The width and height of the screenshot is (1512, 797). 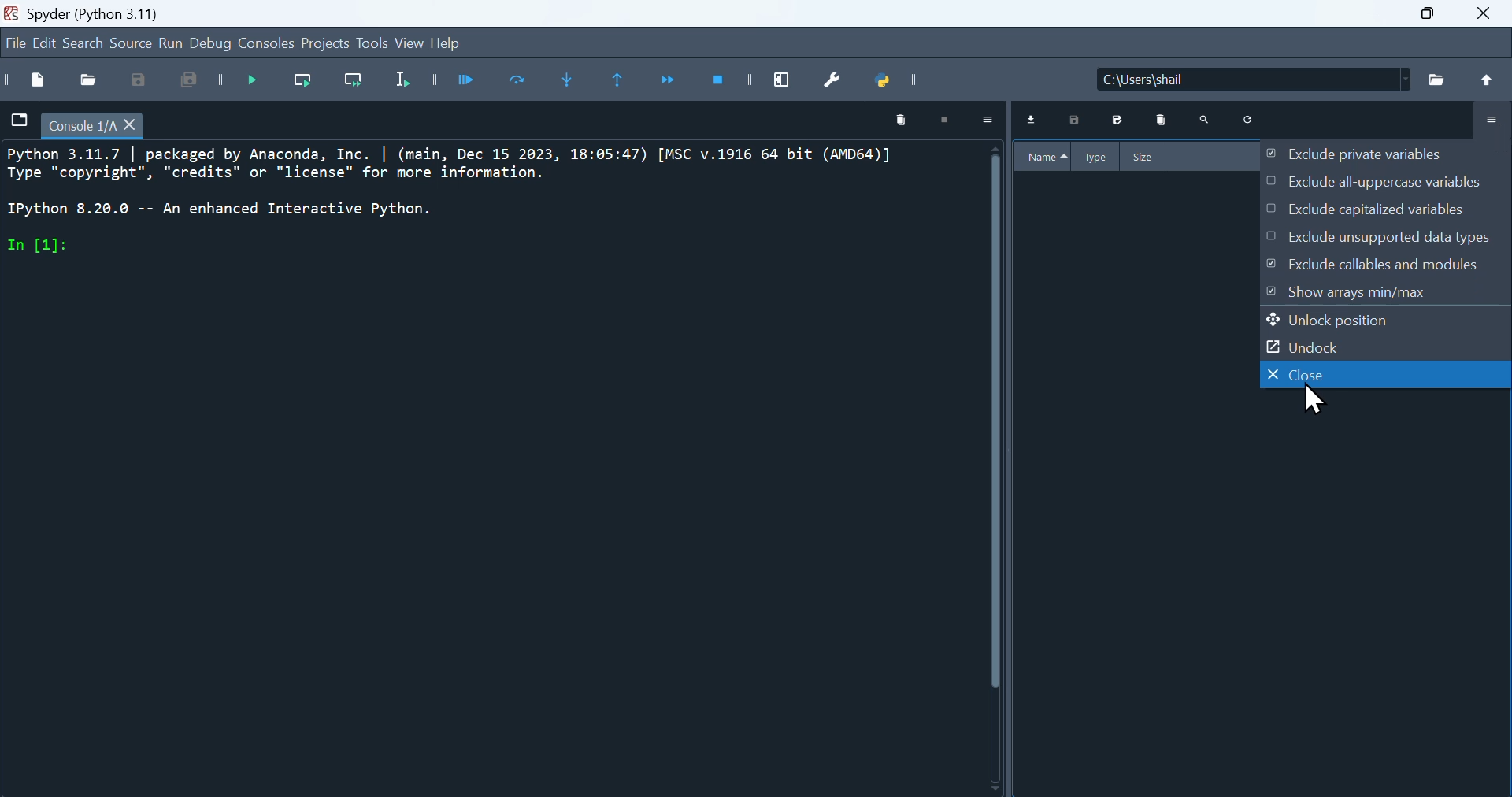 What do you see at coordinates (1304, 77) in the screenshot?
I see `Name of the file` at bounding box center [1304, 77].